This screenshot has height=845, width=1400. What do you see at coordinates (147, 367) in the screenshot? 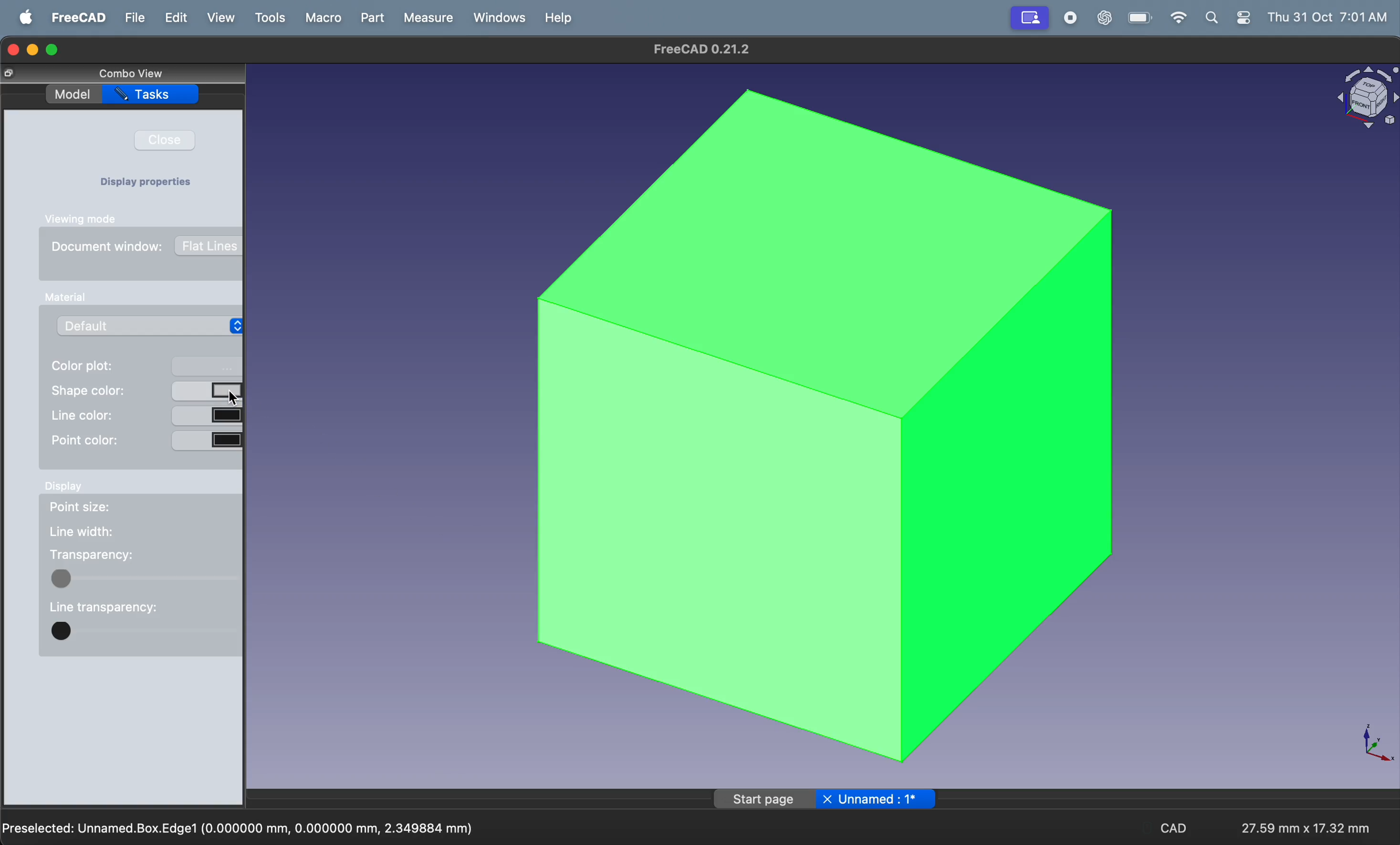
I see `color plot` at bounding box center [147, 367].